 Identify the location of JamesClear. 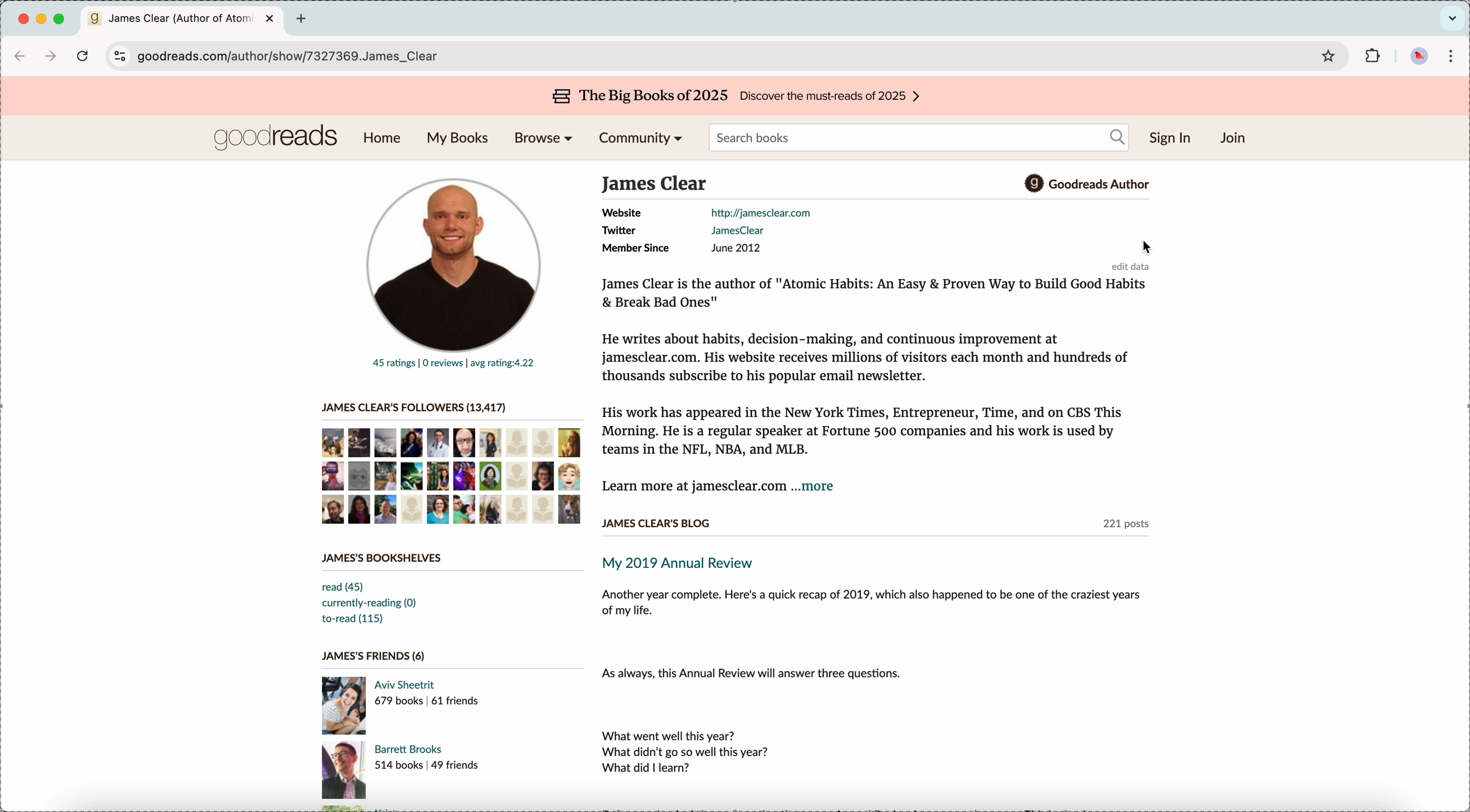
(737, 231).